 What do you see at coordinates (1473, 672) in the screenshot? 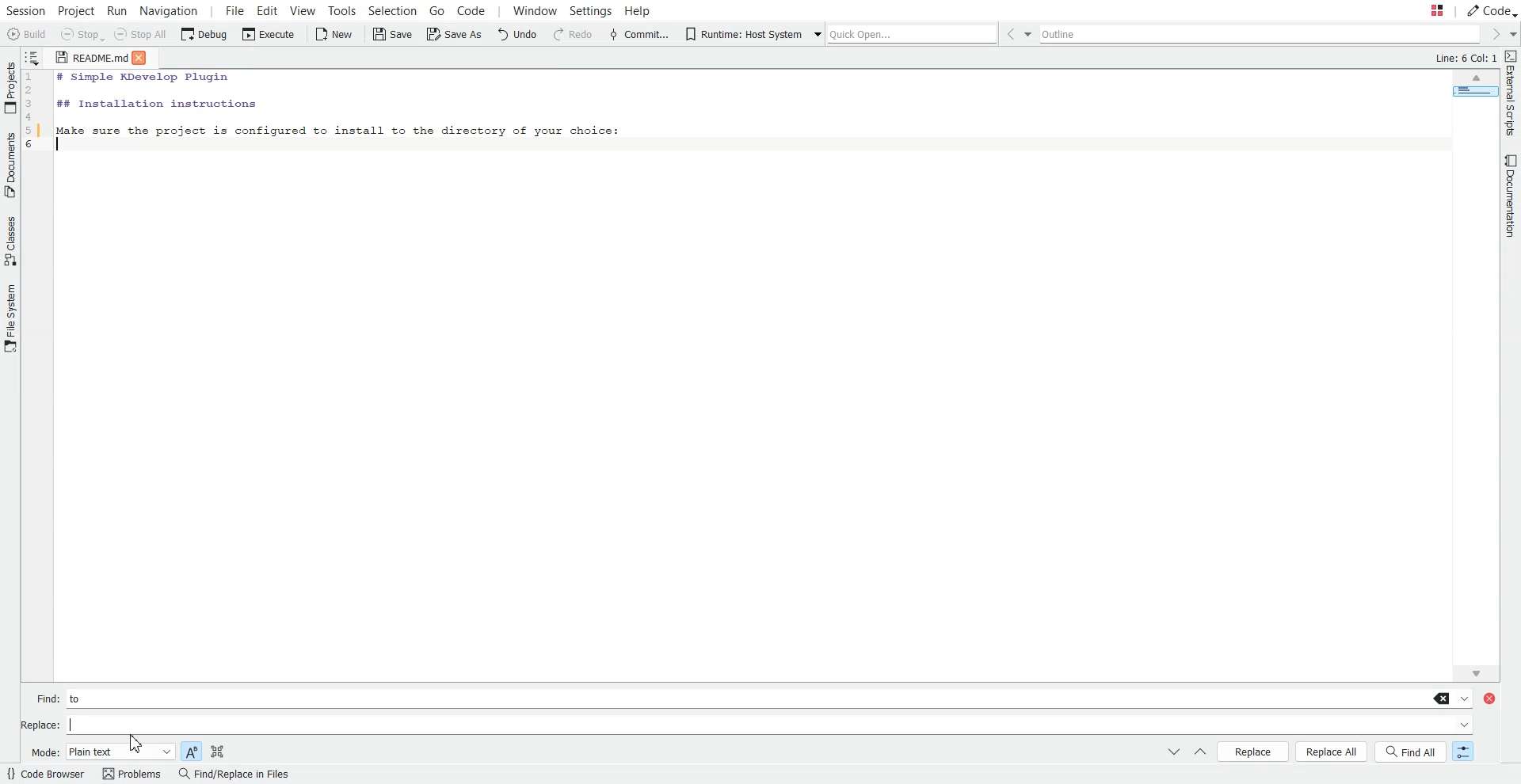
I see `Scroll Down Arrow` at bounding box center [1473, 672].